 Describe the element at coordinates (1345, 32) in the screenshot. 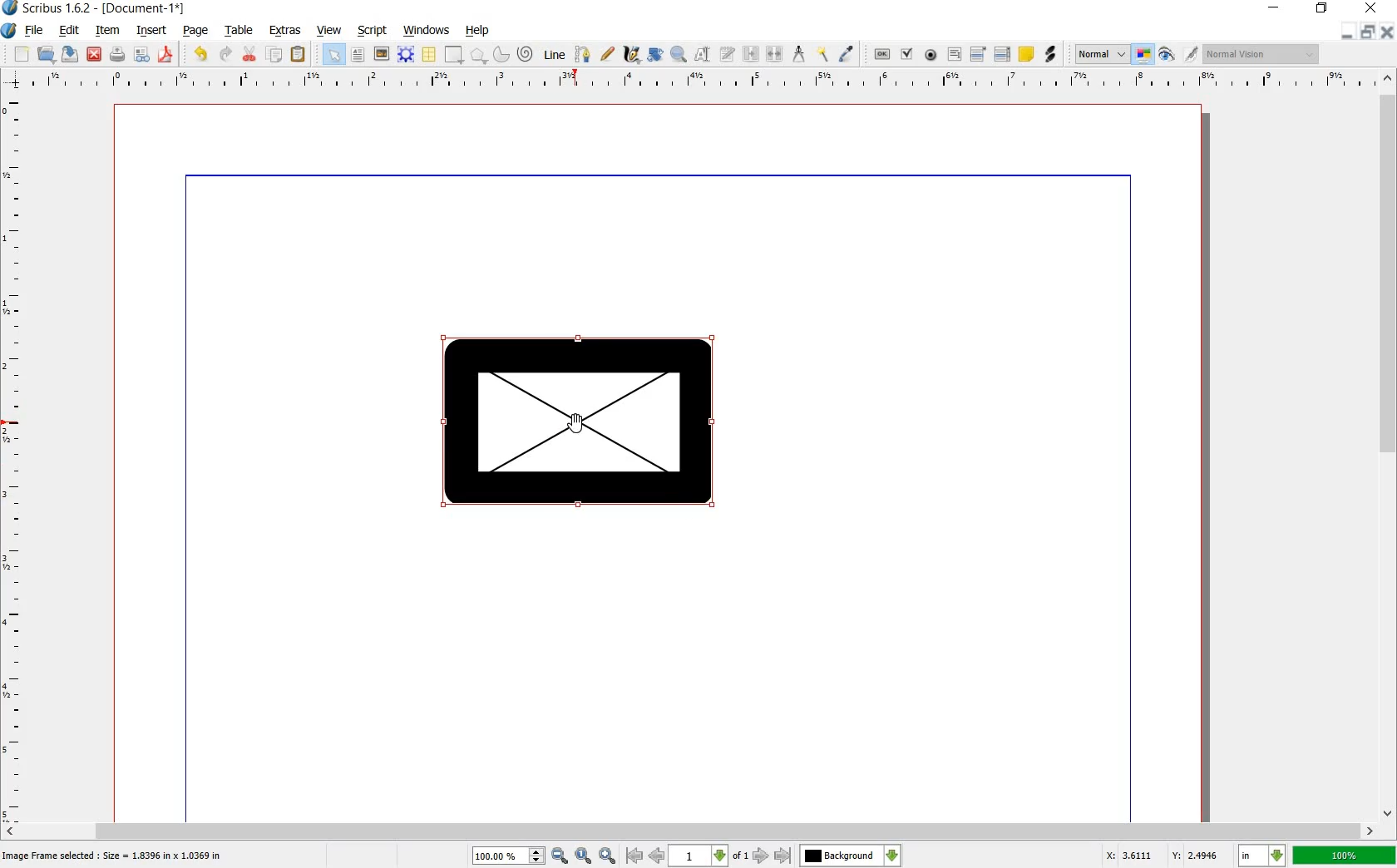

I see `minimize` at that location.